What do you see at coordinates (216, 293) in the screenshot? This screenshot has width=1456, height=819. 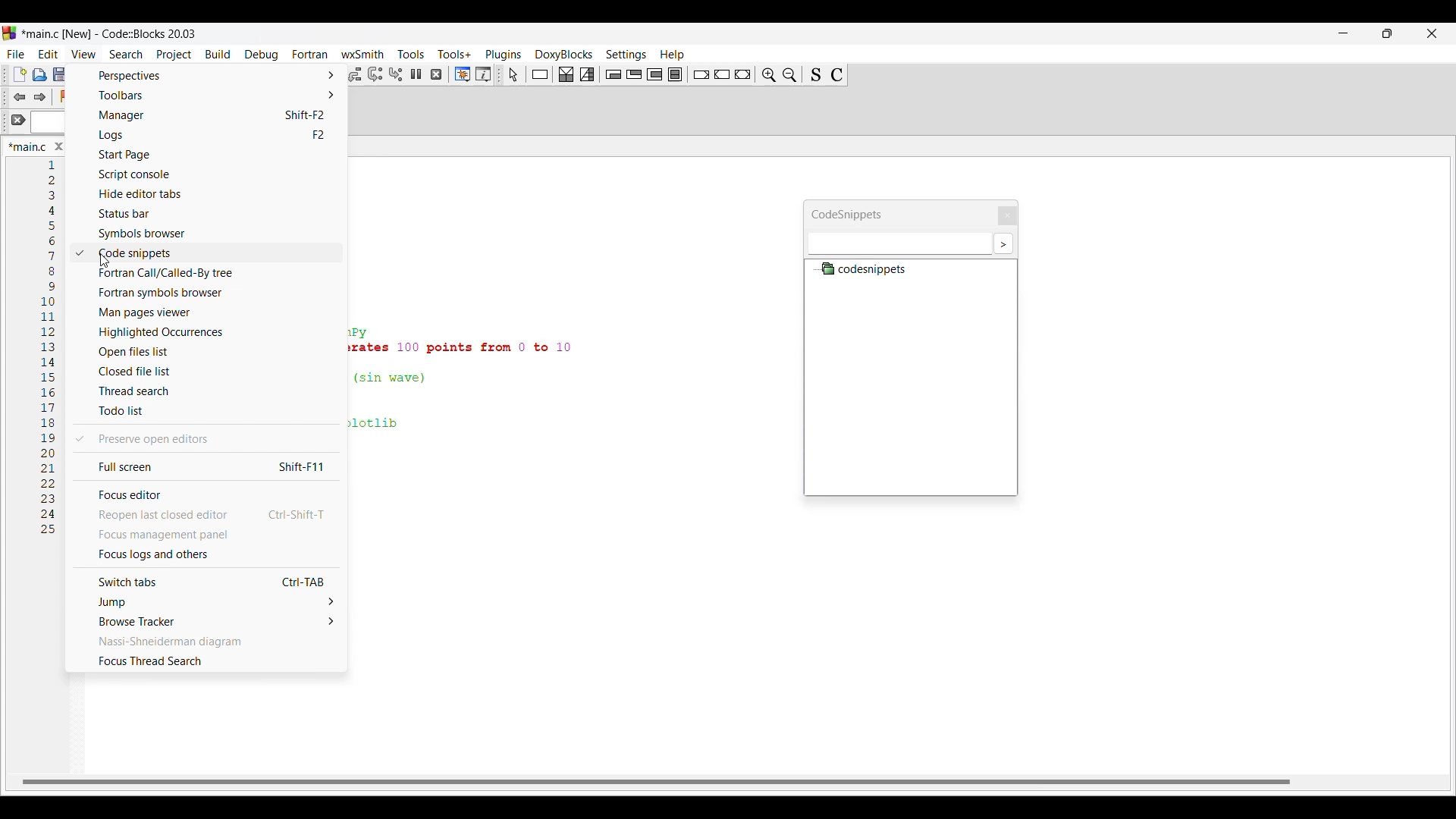 I see `Fortran symbols browser` at bounding box center [216, 293].